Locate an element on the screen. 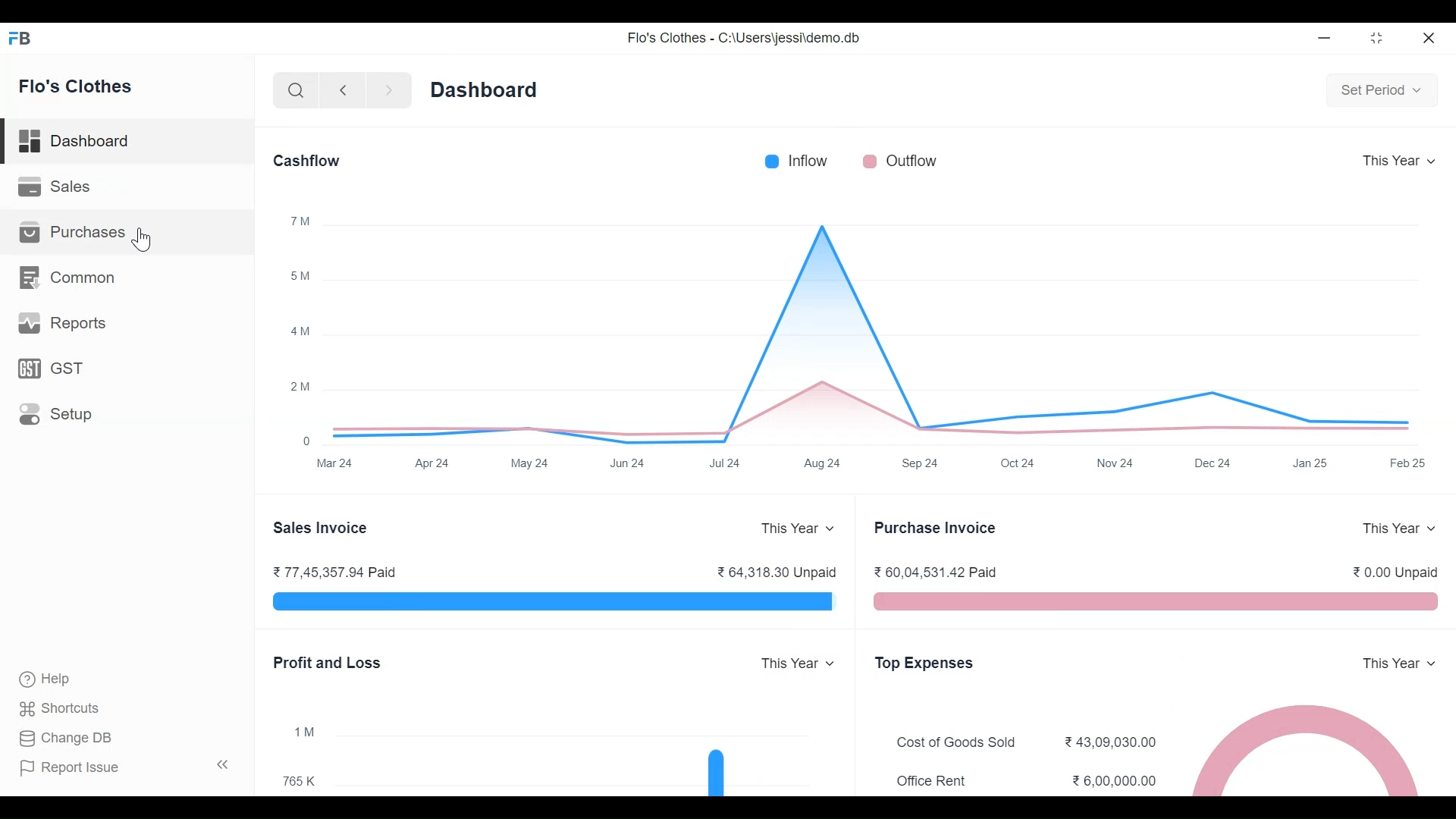 Image resolution: width=1456 pixels, height=819 pixels. Purchase Invoice is located at coordinates (937, 529).